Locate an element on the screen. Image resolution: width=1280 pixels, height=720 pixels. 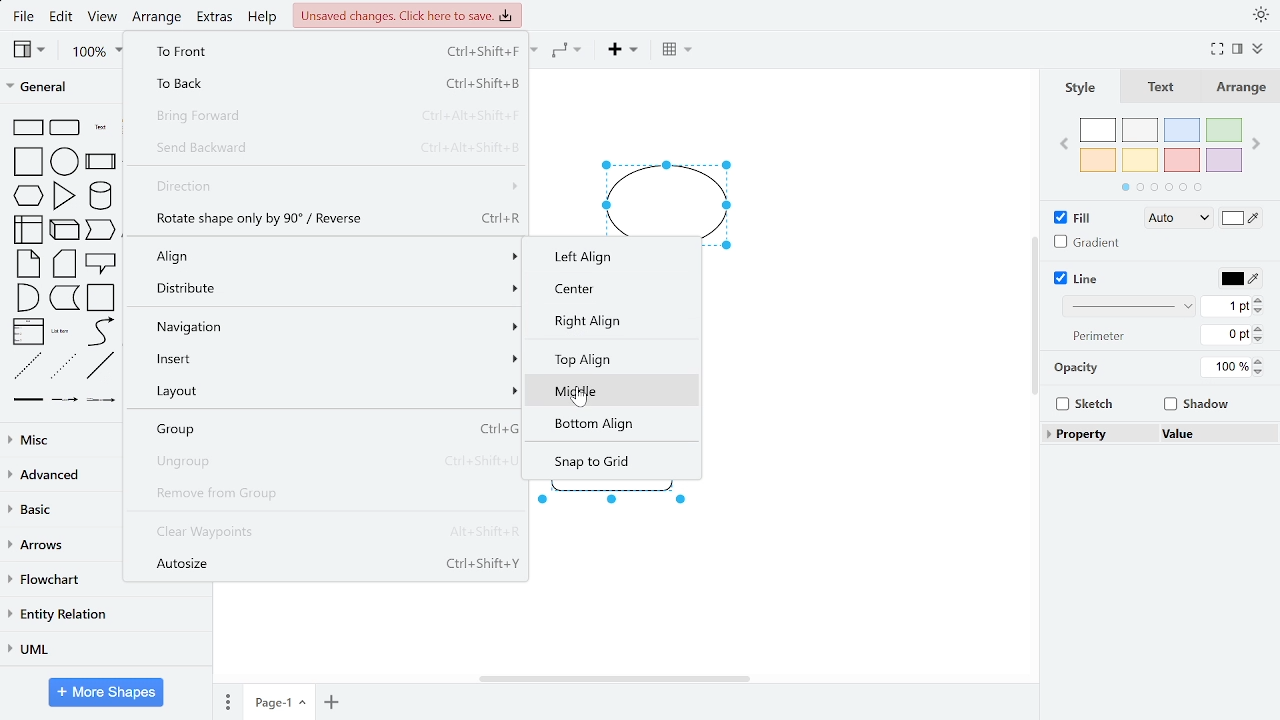
orange is located at coordinates (1098, 160).